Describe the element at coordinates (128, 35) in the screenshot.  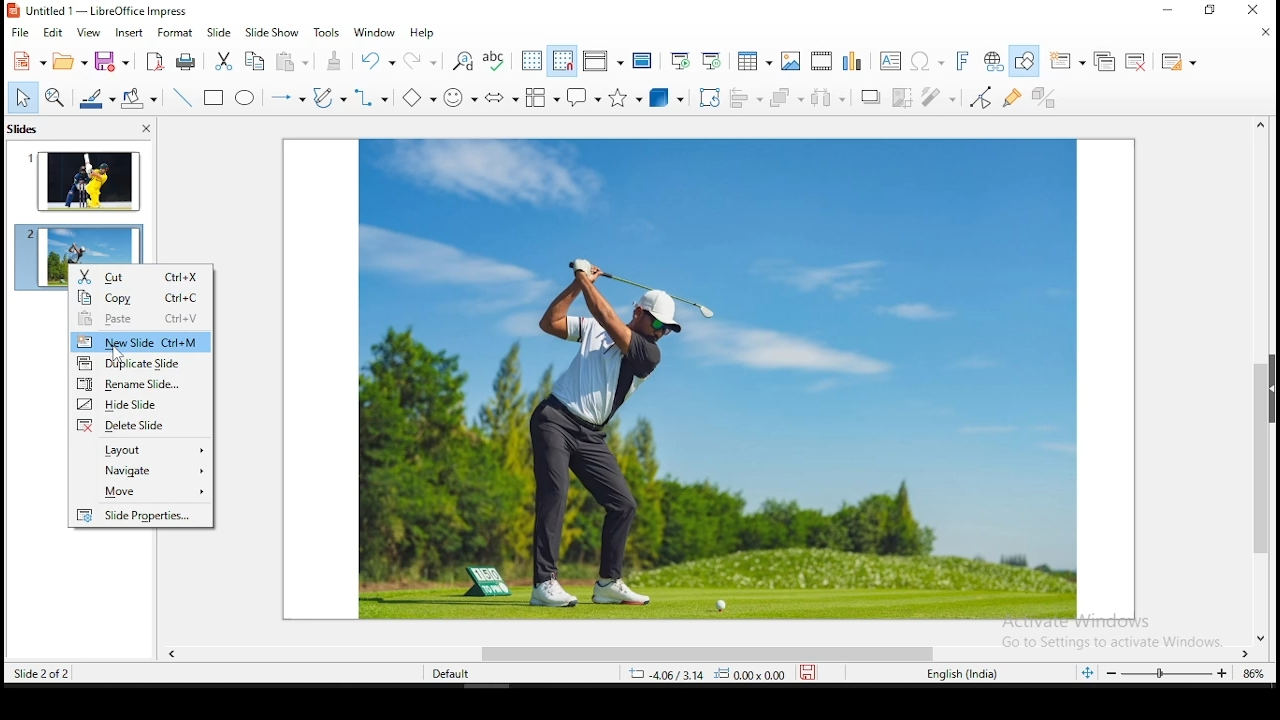
I see `insert` at that location.